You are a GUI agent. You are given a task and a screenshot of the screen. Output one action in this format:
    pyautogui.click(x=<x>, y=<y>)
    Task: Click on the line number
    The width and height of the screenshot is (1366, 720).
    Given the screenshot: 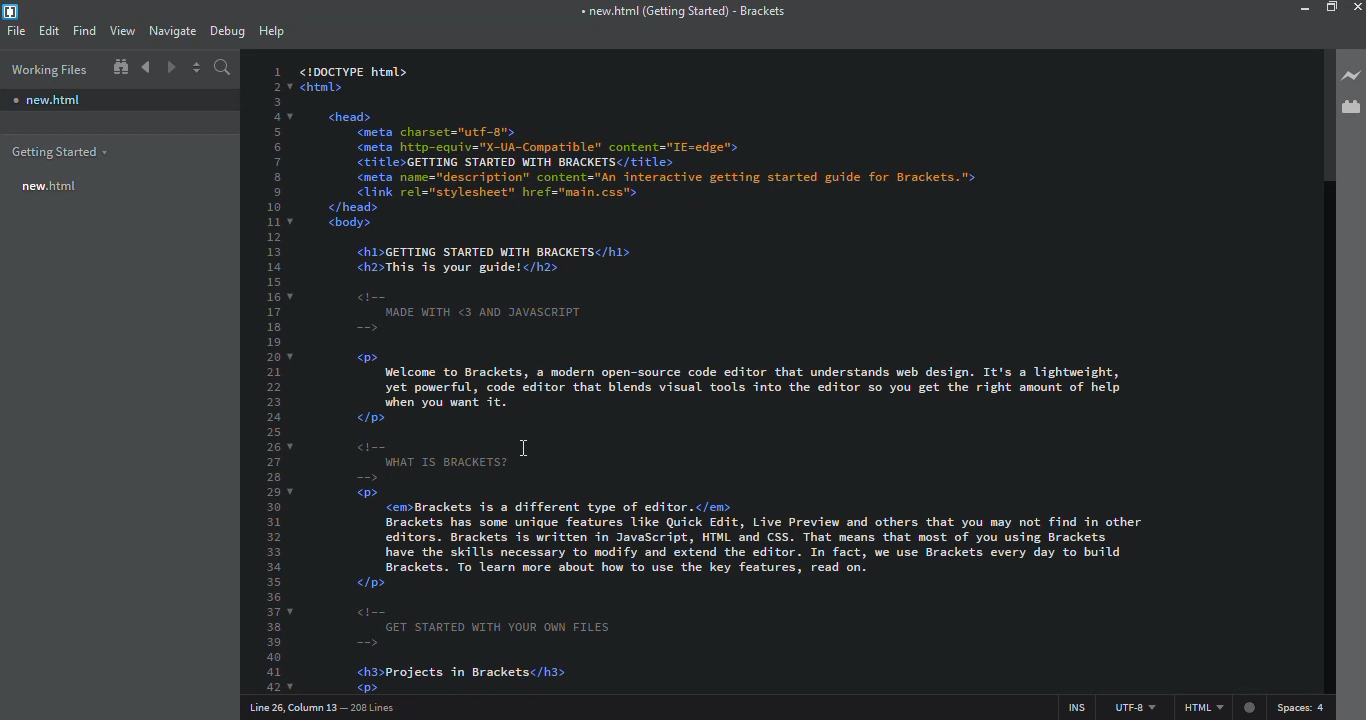 What is the action you would take?
    pyautogui.click(x=278, y=377)
    